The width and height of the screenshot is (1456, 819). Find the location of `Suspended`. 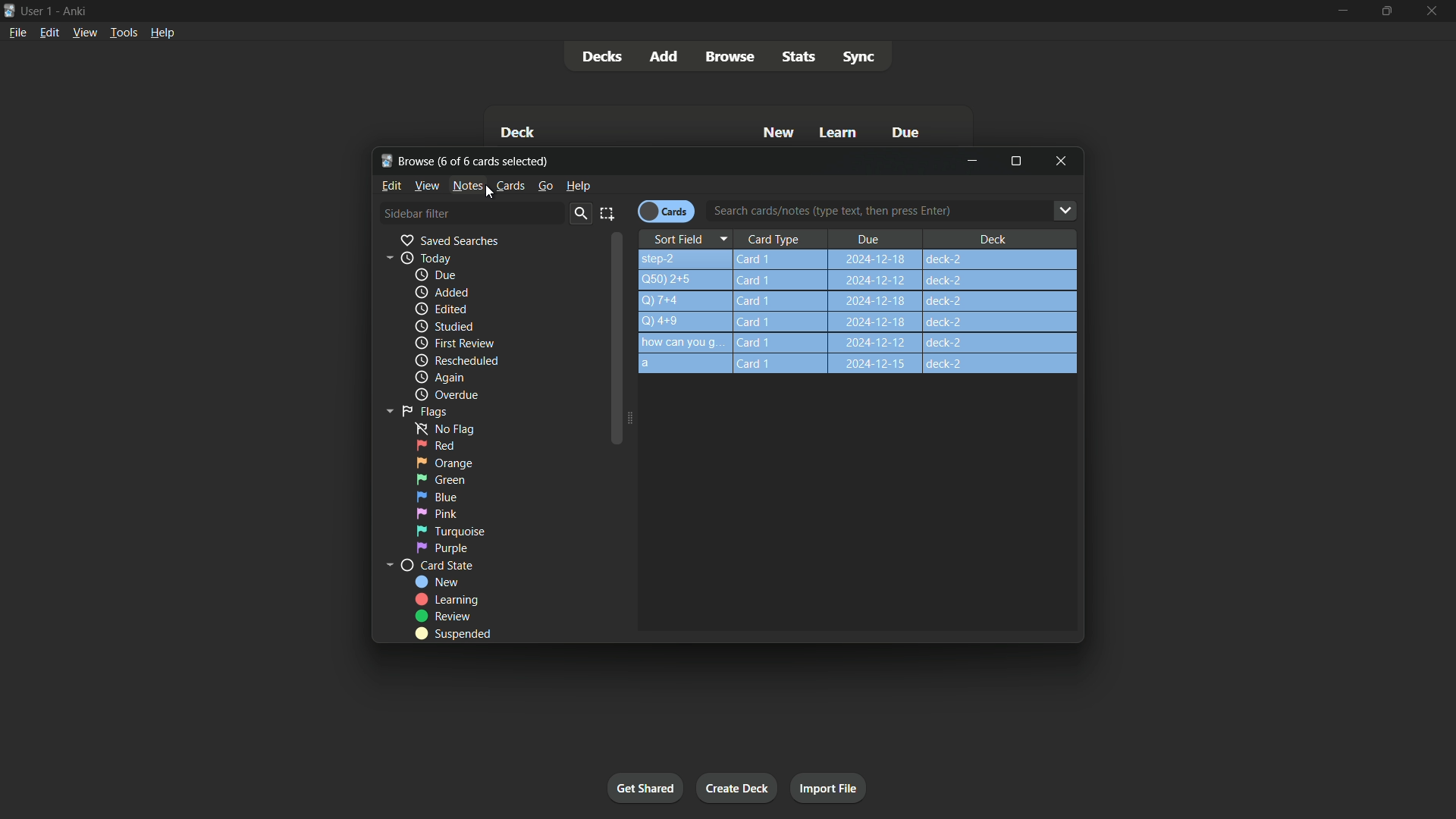

Suspended is located at coordinates (453, 635).